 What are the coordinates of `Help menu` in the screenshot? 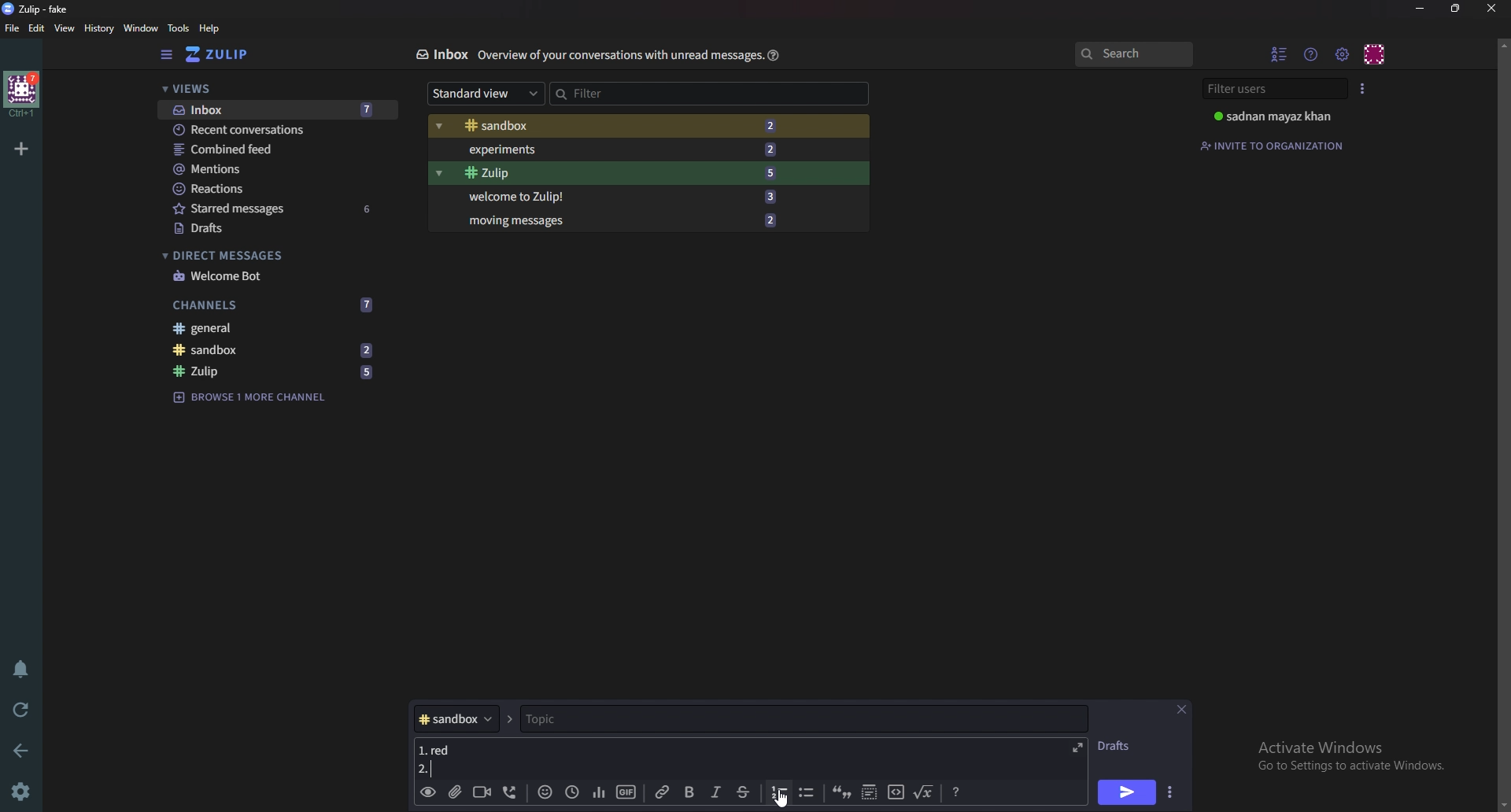 It's located at (1313, 54).